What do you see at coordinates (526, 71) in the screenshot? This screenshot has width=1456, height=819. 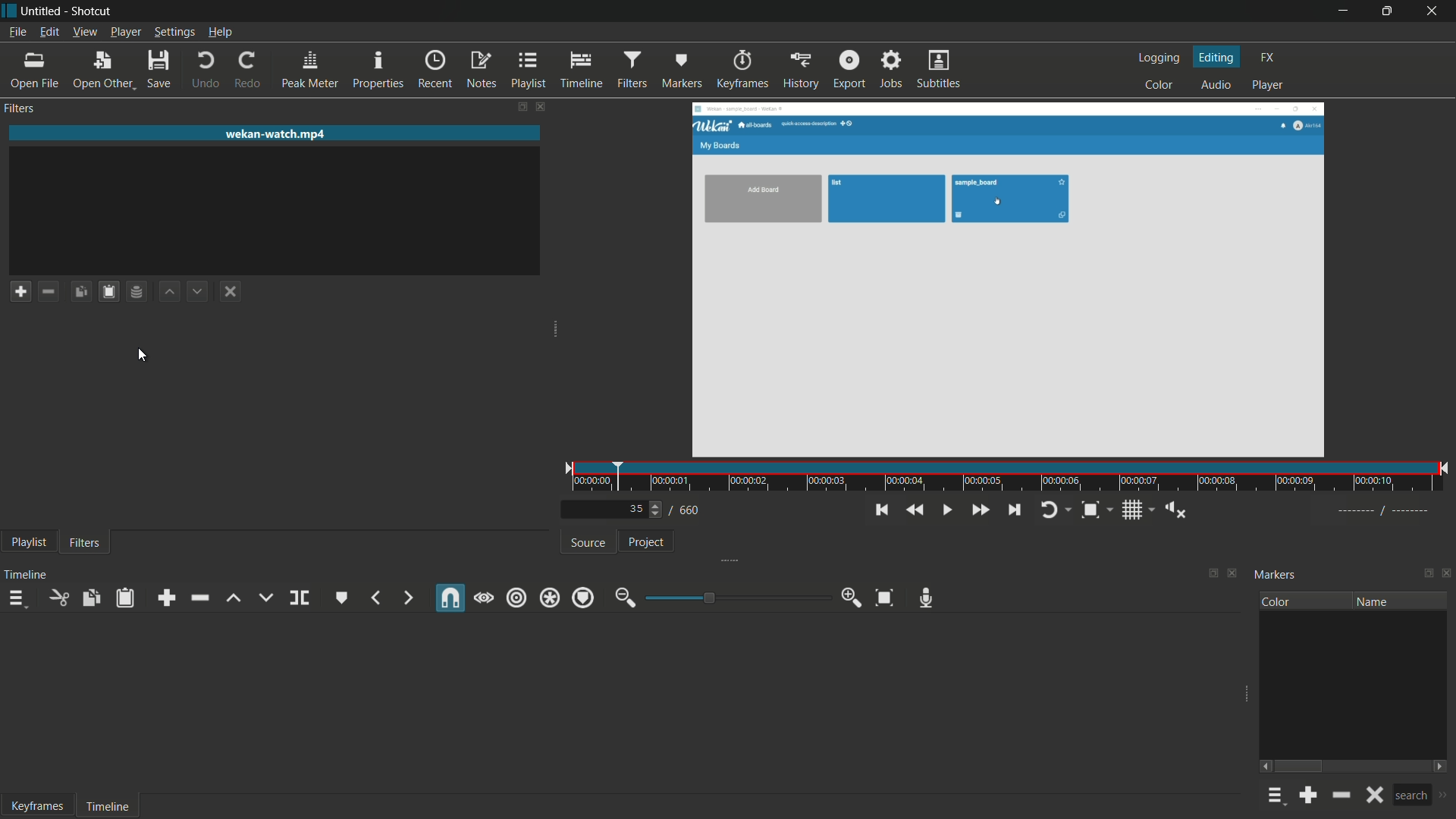 I see `playlist` at bounding box center [526, 71].